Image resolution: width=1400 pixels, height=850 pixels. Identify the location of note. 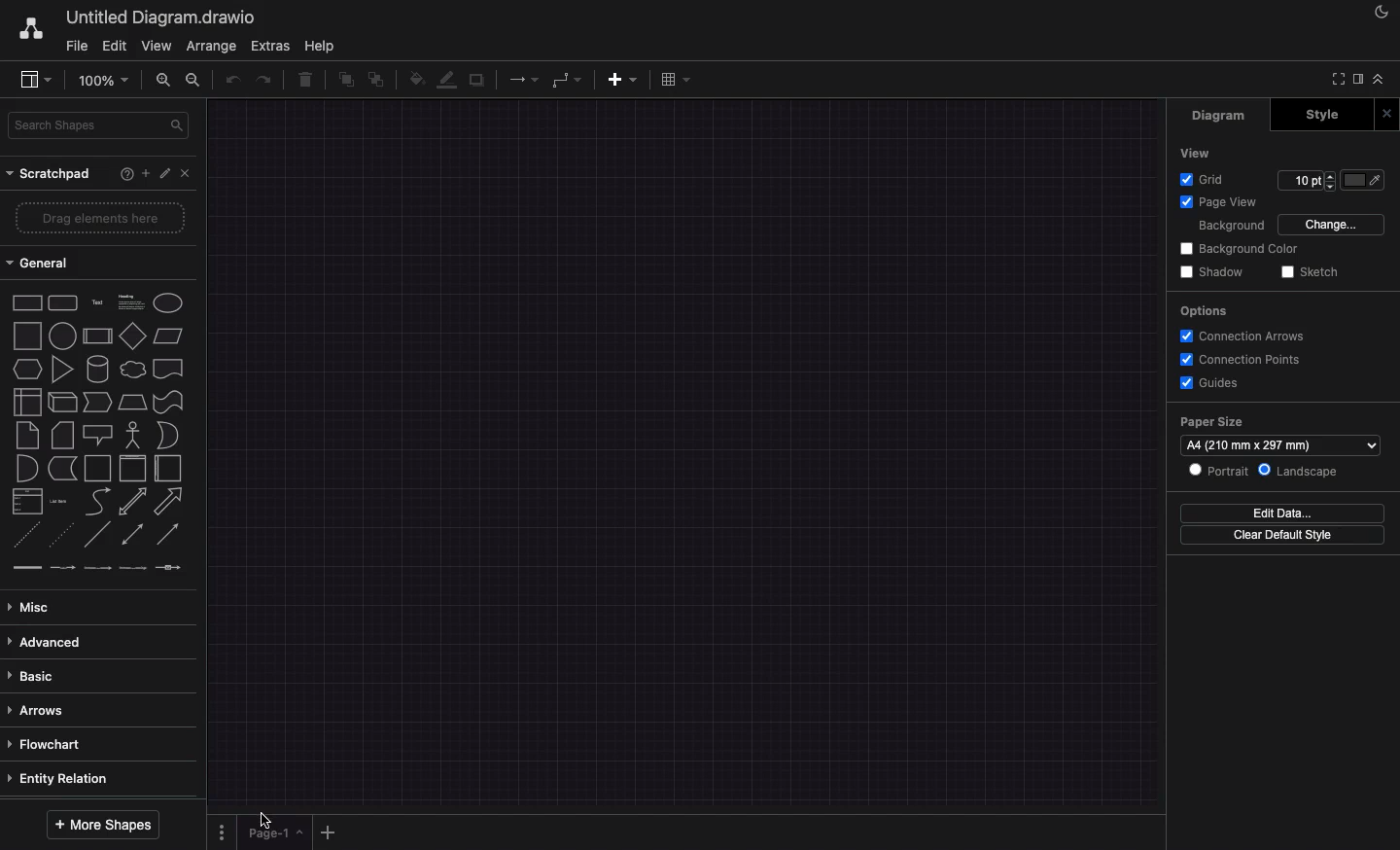
(28, 435).